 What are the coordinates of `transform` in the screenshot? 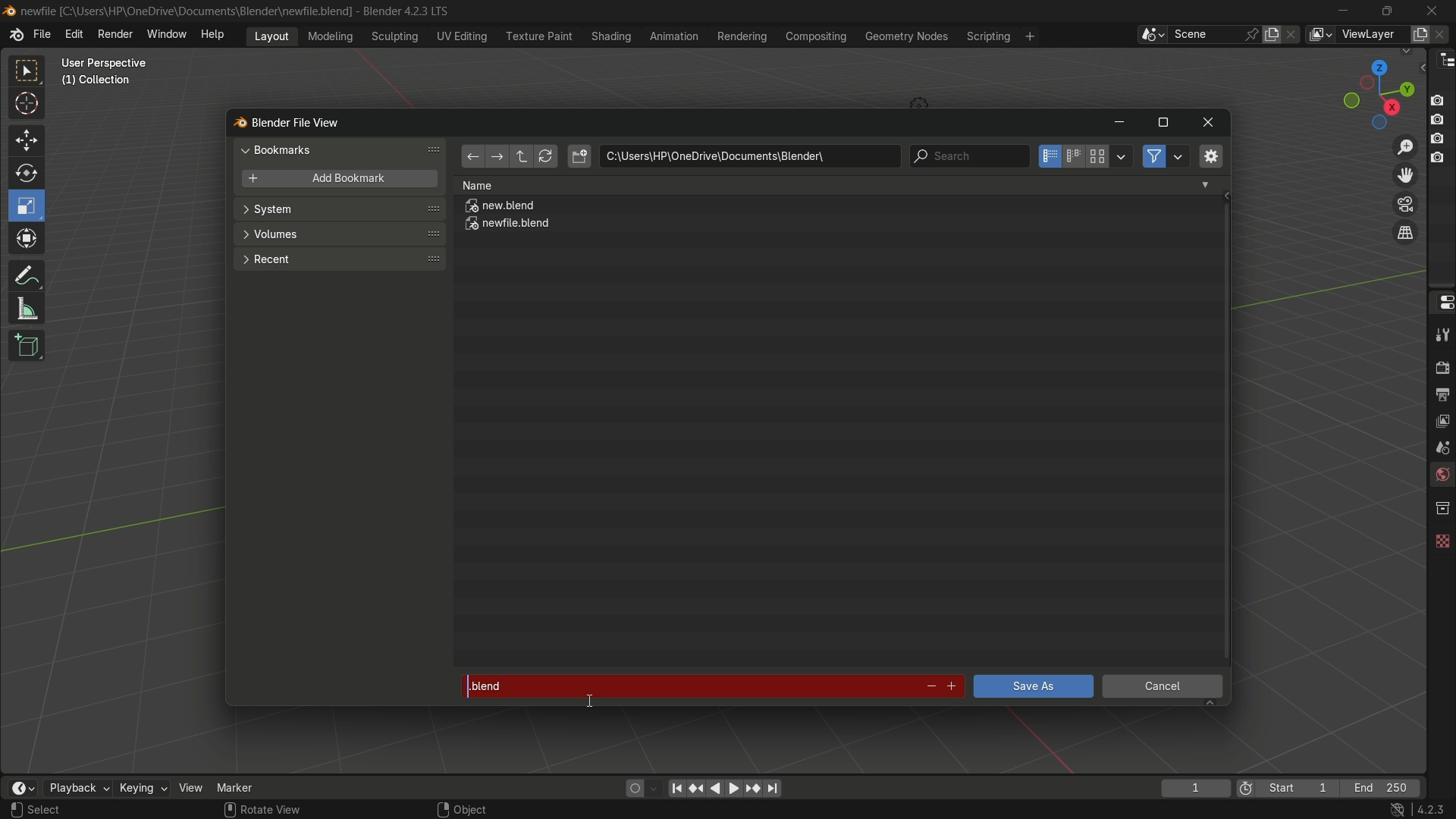 It's located at (28, 240).